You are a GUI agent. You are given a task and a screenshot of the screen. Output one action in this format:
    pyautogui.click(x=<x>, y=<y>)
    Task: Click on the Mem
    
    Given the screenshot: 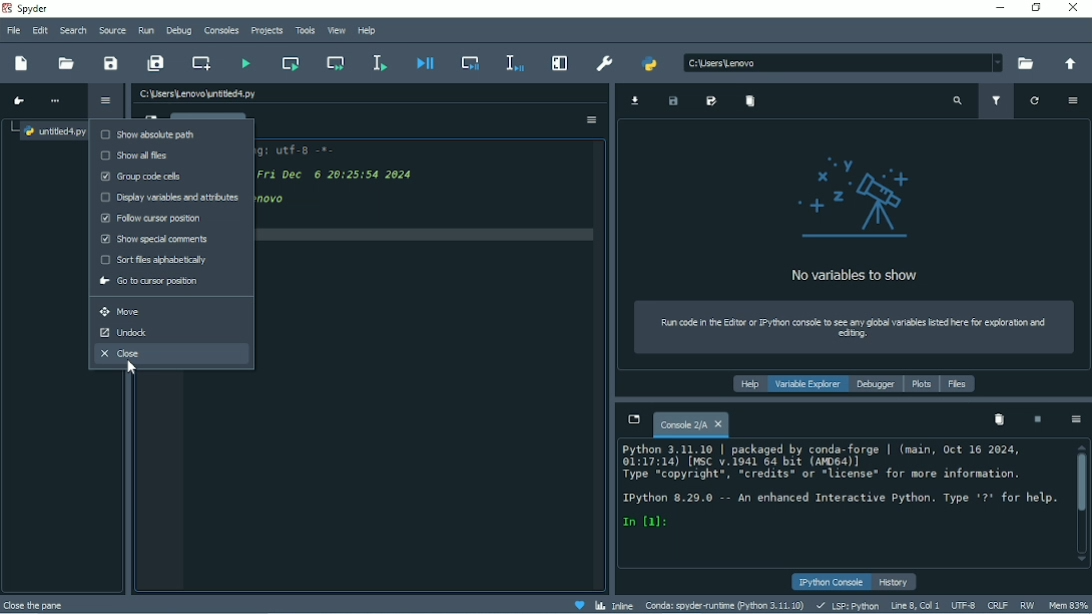 What is the action you would take?
    pyautogui.click(x=1069, y=604)
    